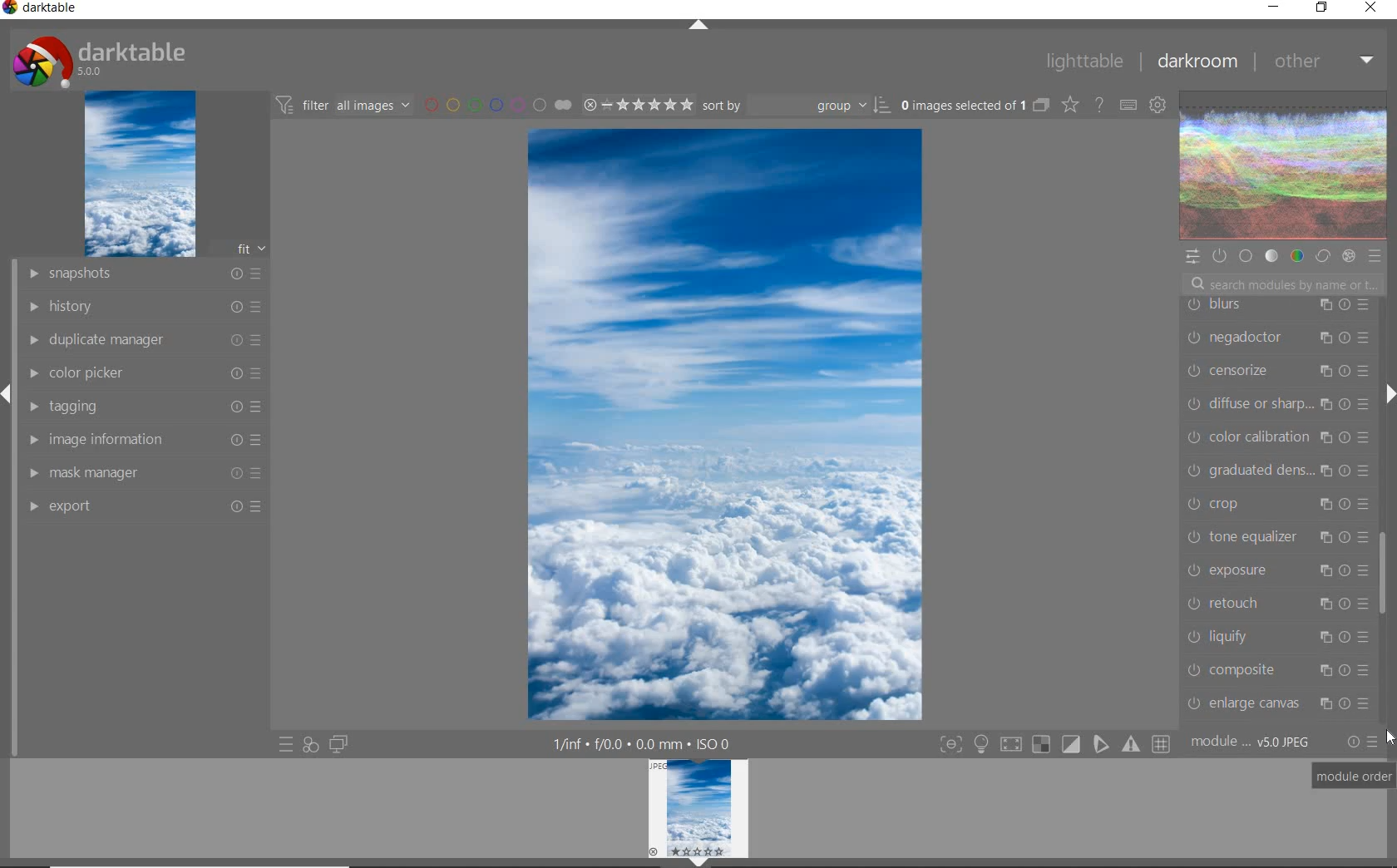  I want to click on fit, so click(241, 249).